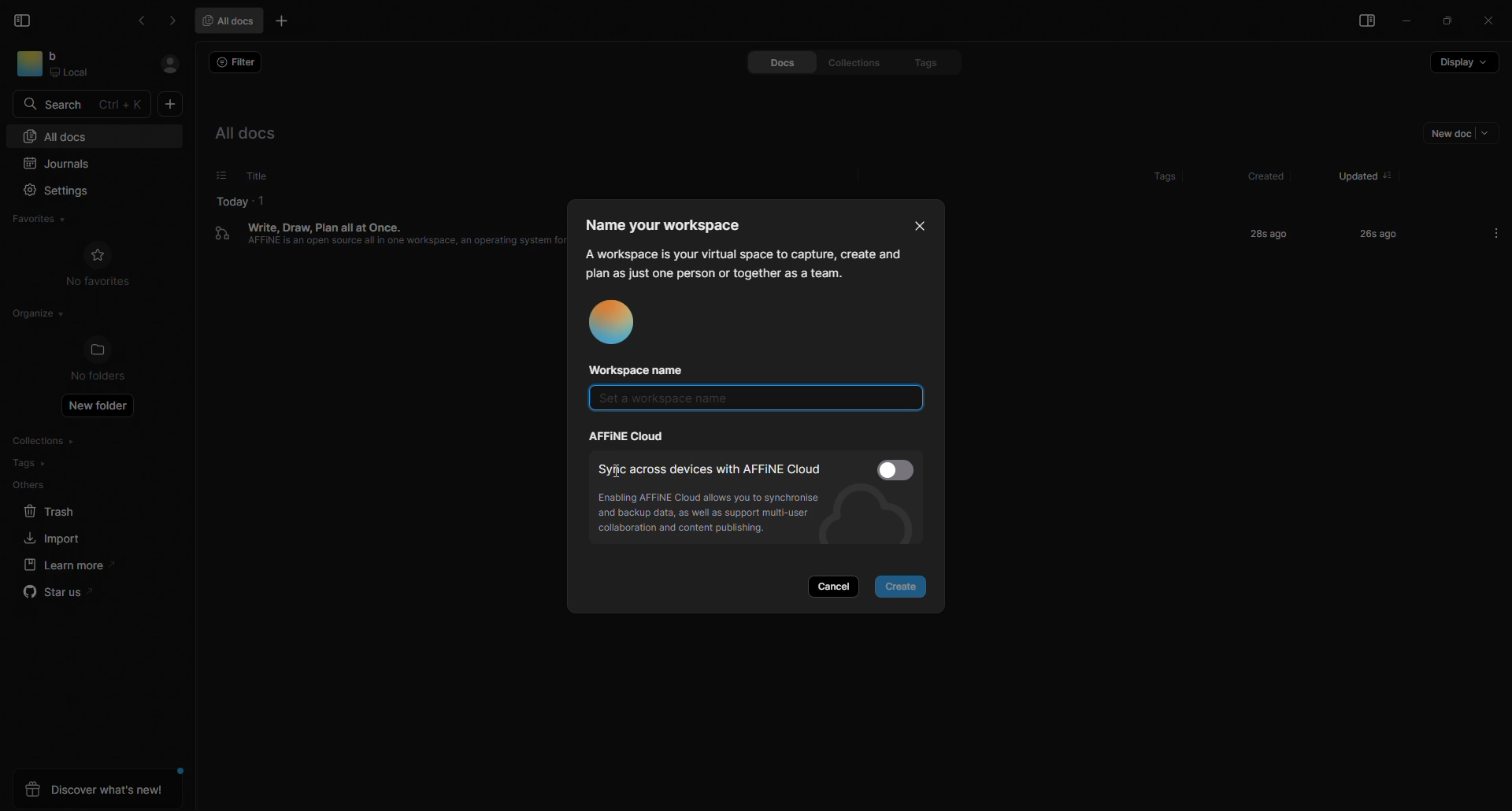 This screenshot has height=811, width=1512. What do you see at coordinates (1352, 170) in the screenshot?
I see `updated` at bounding box center [1352, 170].